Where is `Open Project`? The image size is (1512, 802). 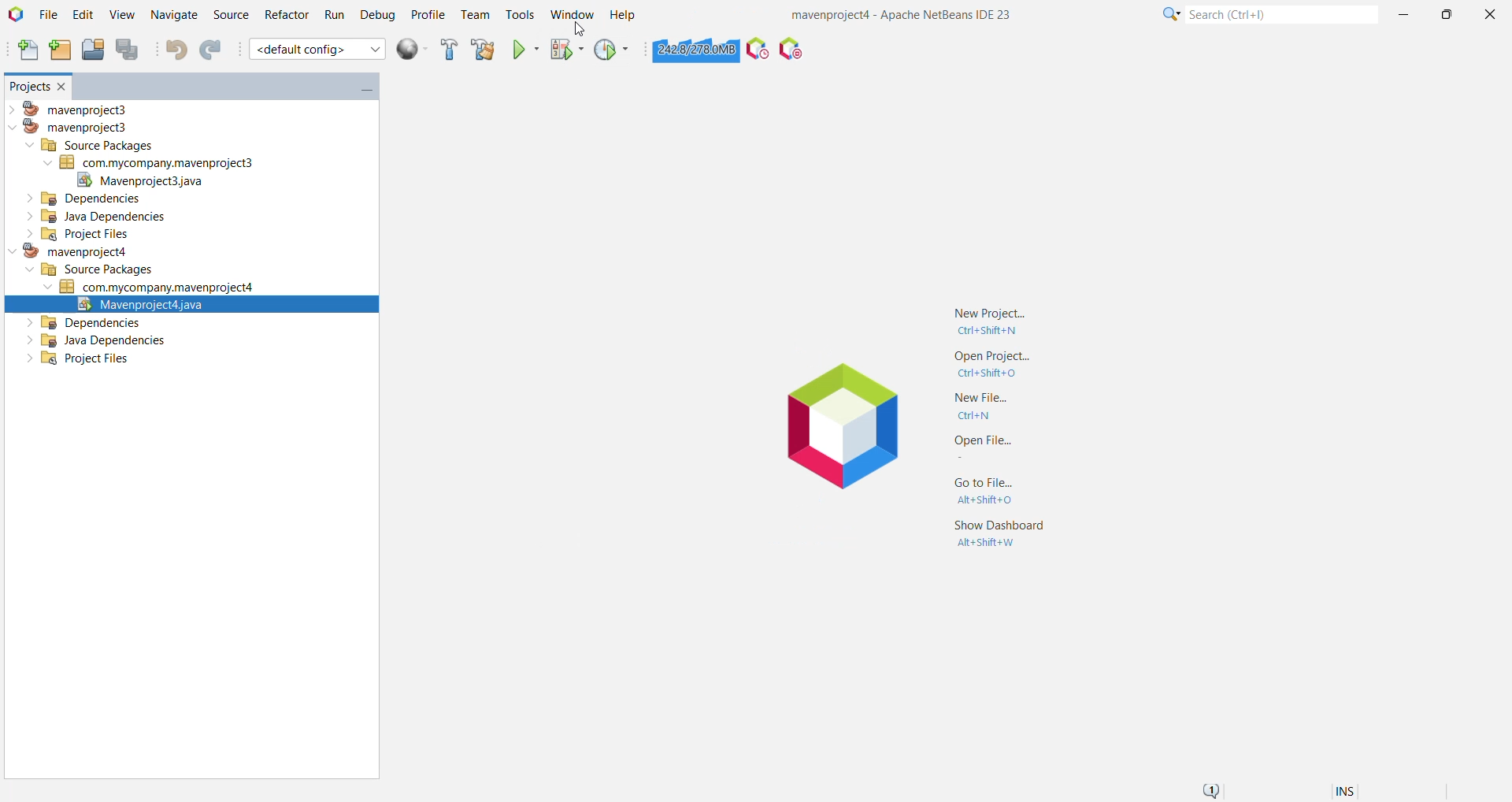
Open Project is located at coordinates (992, 366).